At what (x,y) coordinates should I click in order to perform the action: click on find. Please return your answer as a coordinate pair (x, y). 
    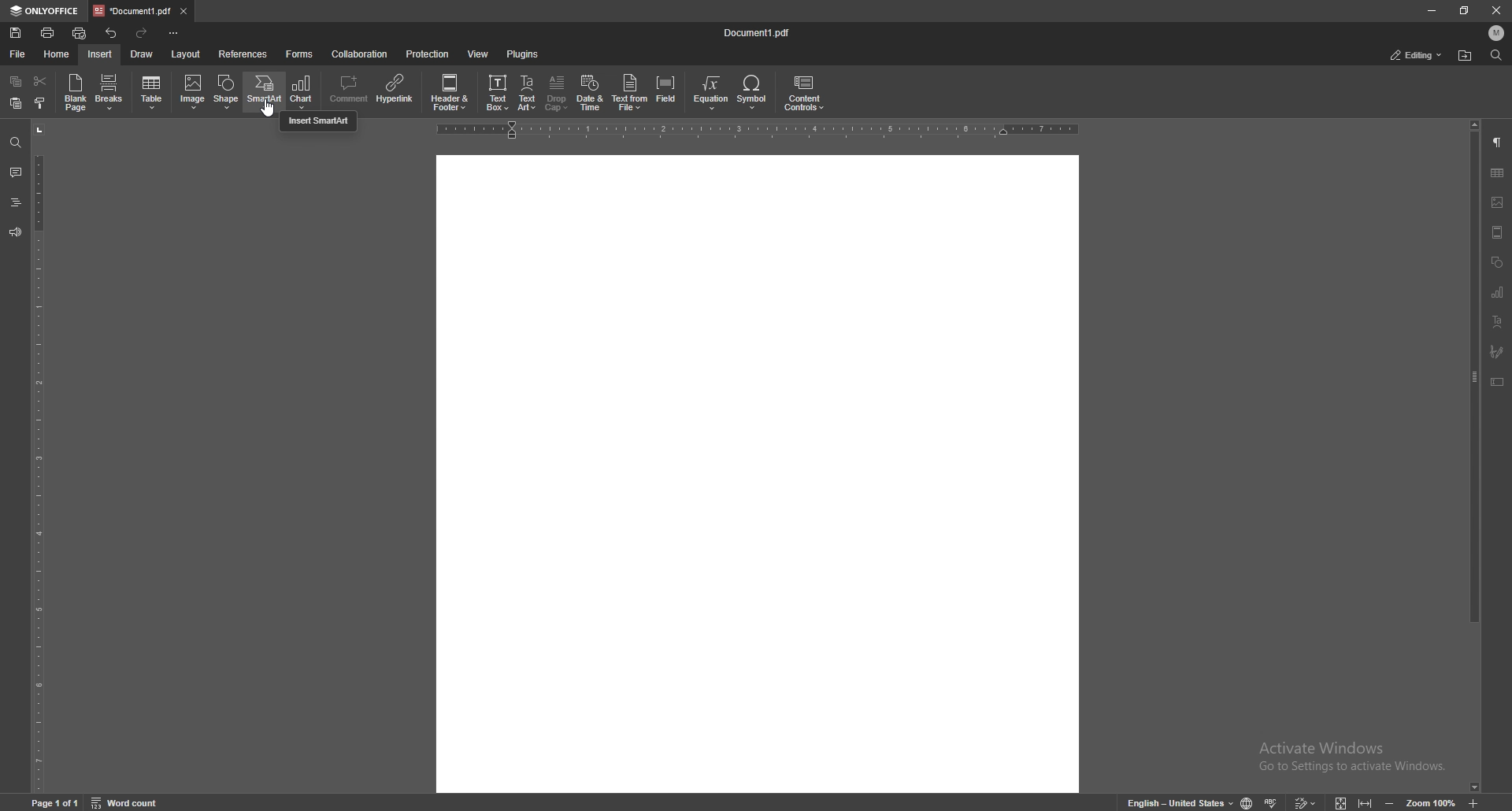
    Looking at the image, I should click on (1495, 54).